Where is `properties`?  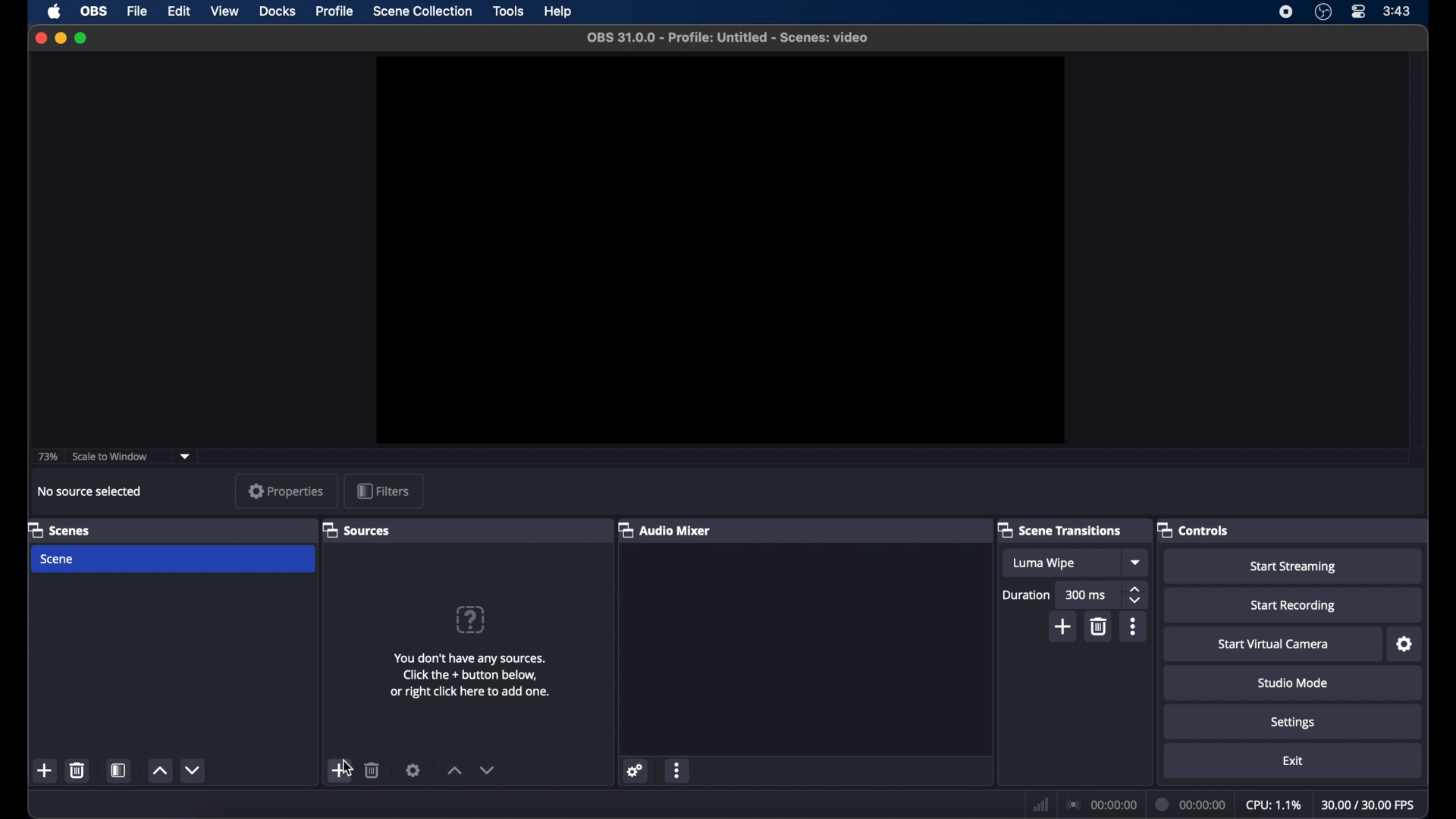
properties is located at coordinates (287, 491).